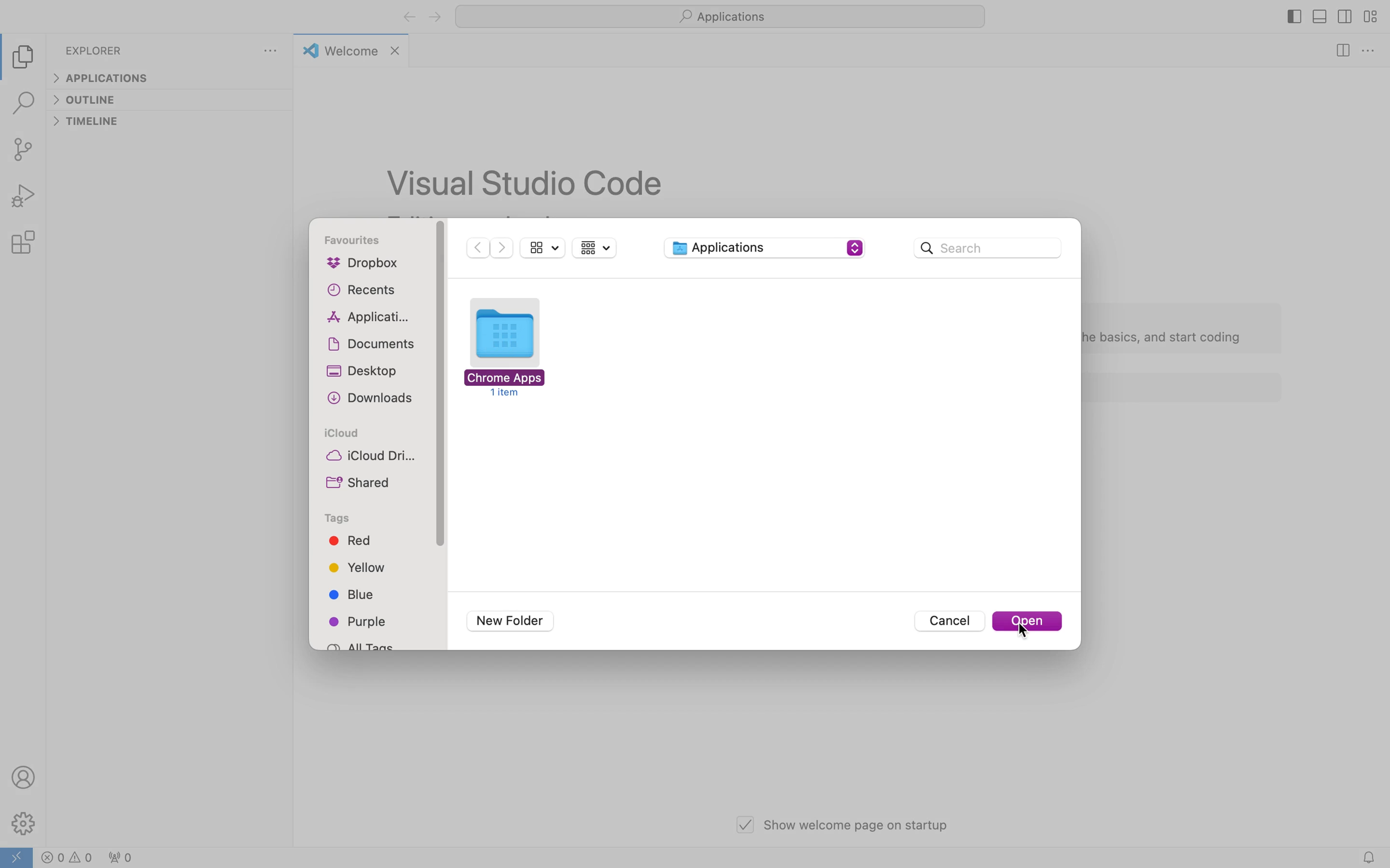  I want to click on blue, so click(354, 596).